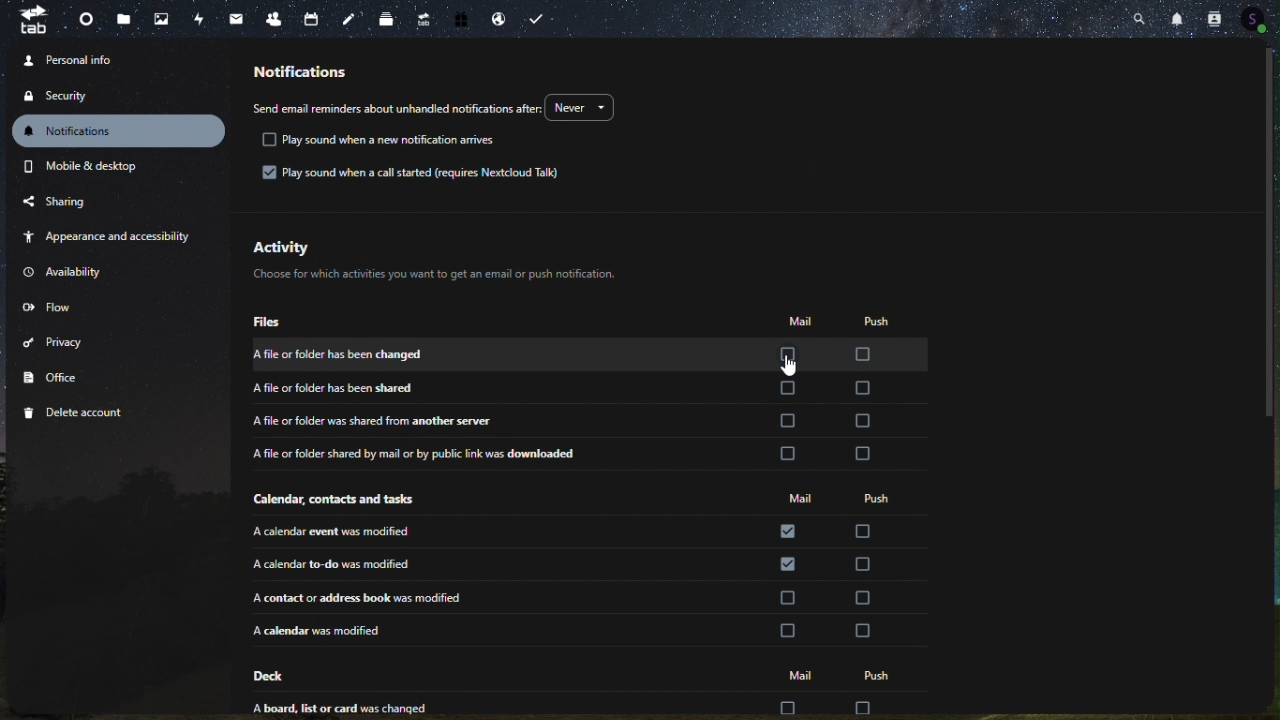 This screenshot has height=720, width=1280. Describe the element at coordinates (1142, 17) in the screenshot. I see `search` at that location.